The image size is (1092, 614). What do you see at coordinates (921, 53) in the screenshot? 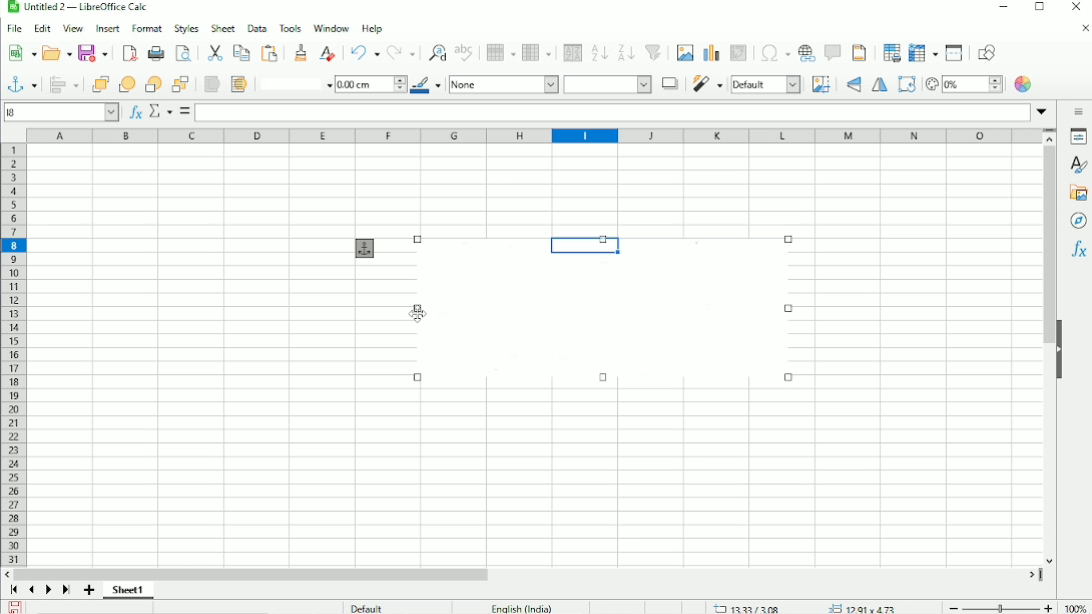
I see `Freeze rows and columns` at bounding box center [921, 53].